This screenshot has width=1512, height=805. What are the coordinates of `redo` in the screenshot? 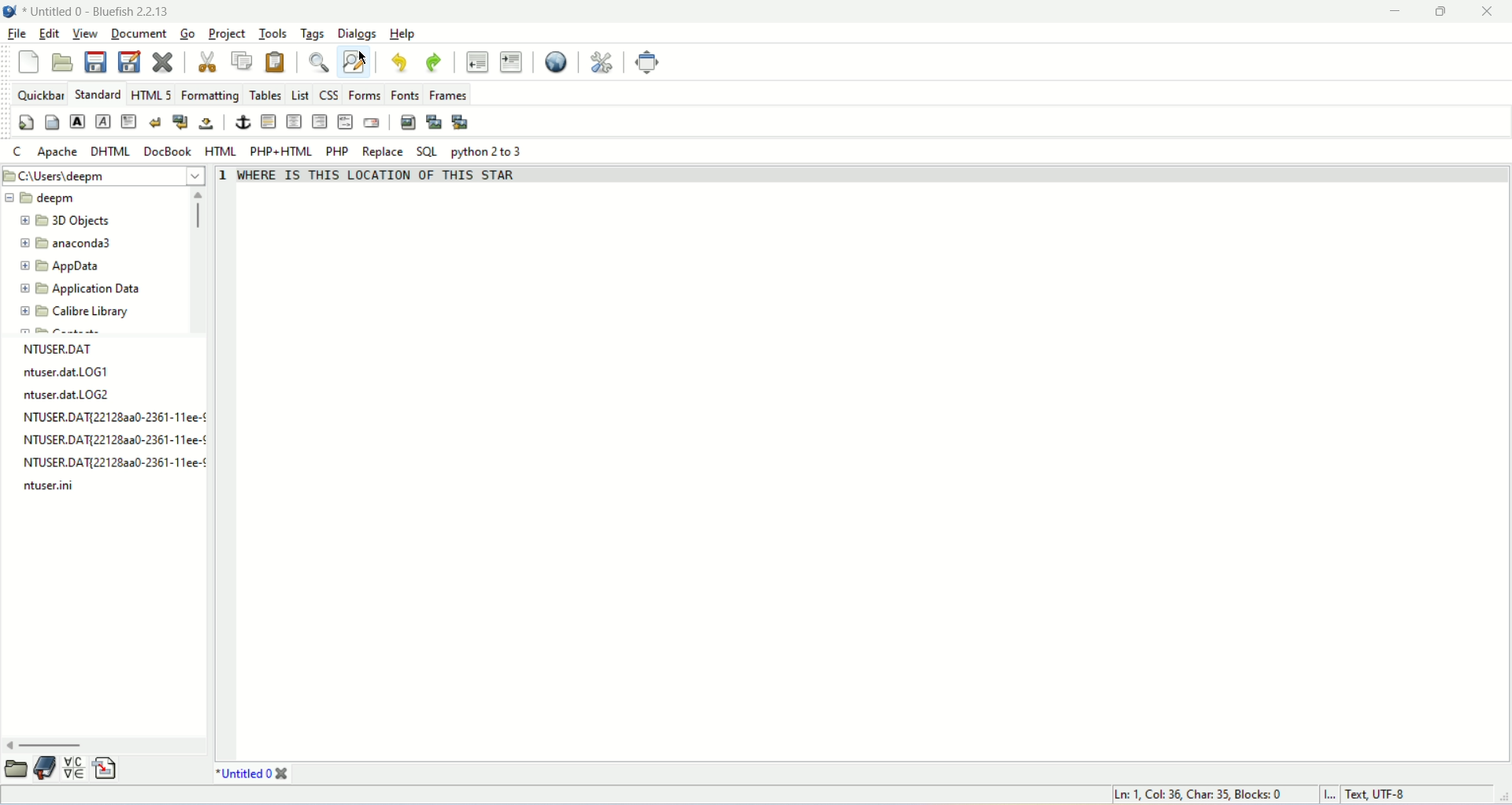 It's located at (434, 63).